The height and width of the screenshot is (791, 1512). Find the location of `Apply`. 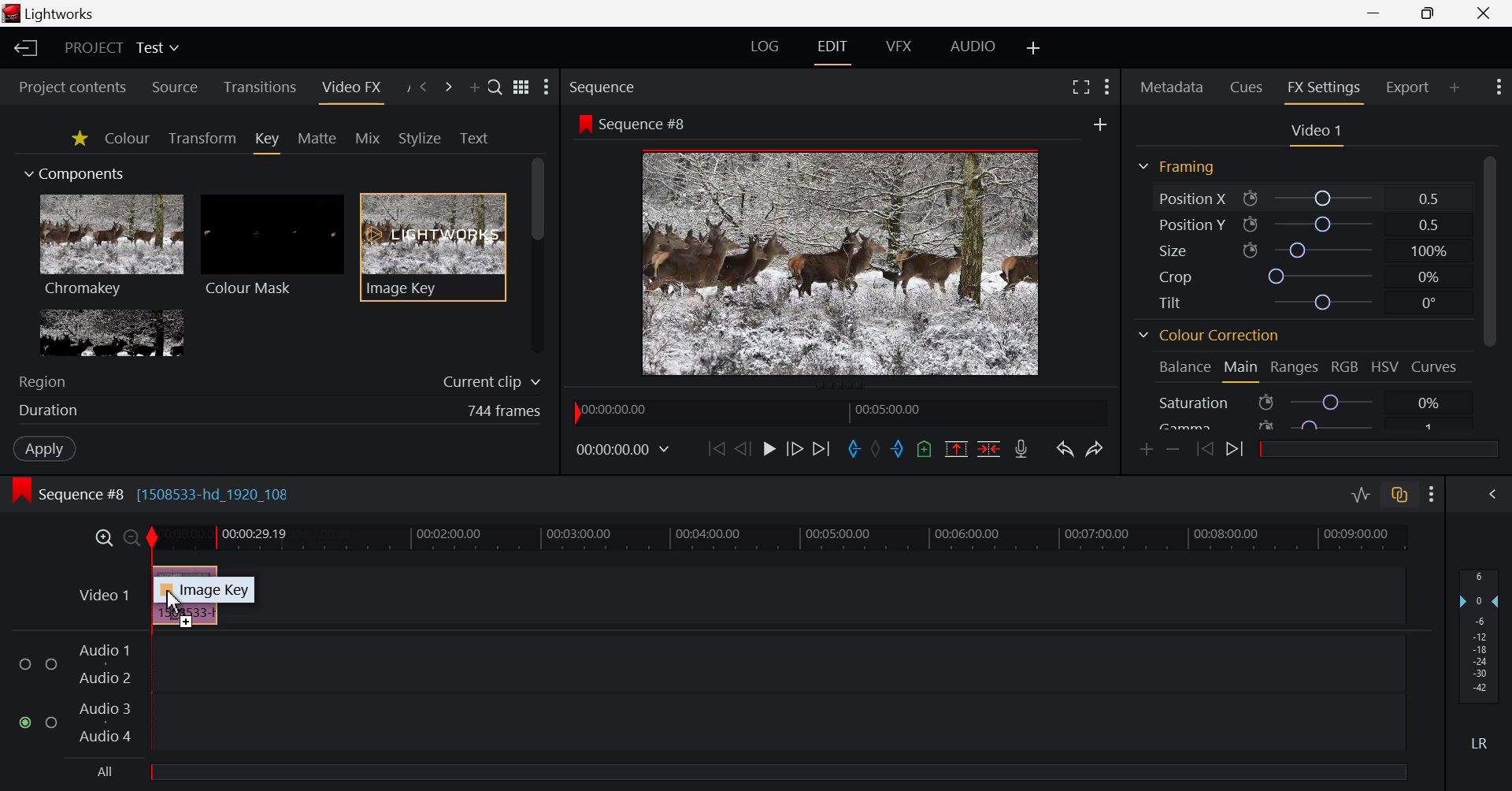

Apply is located at coordinates (46, 448).